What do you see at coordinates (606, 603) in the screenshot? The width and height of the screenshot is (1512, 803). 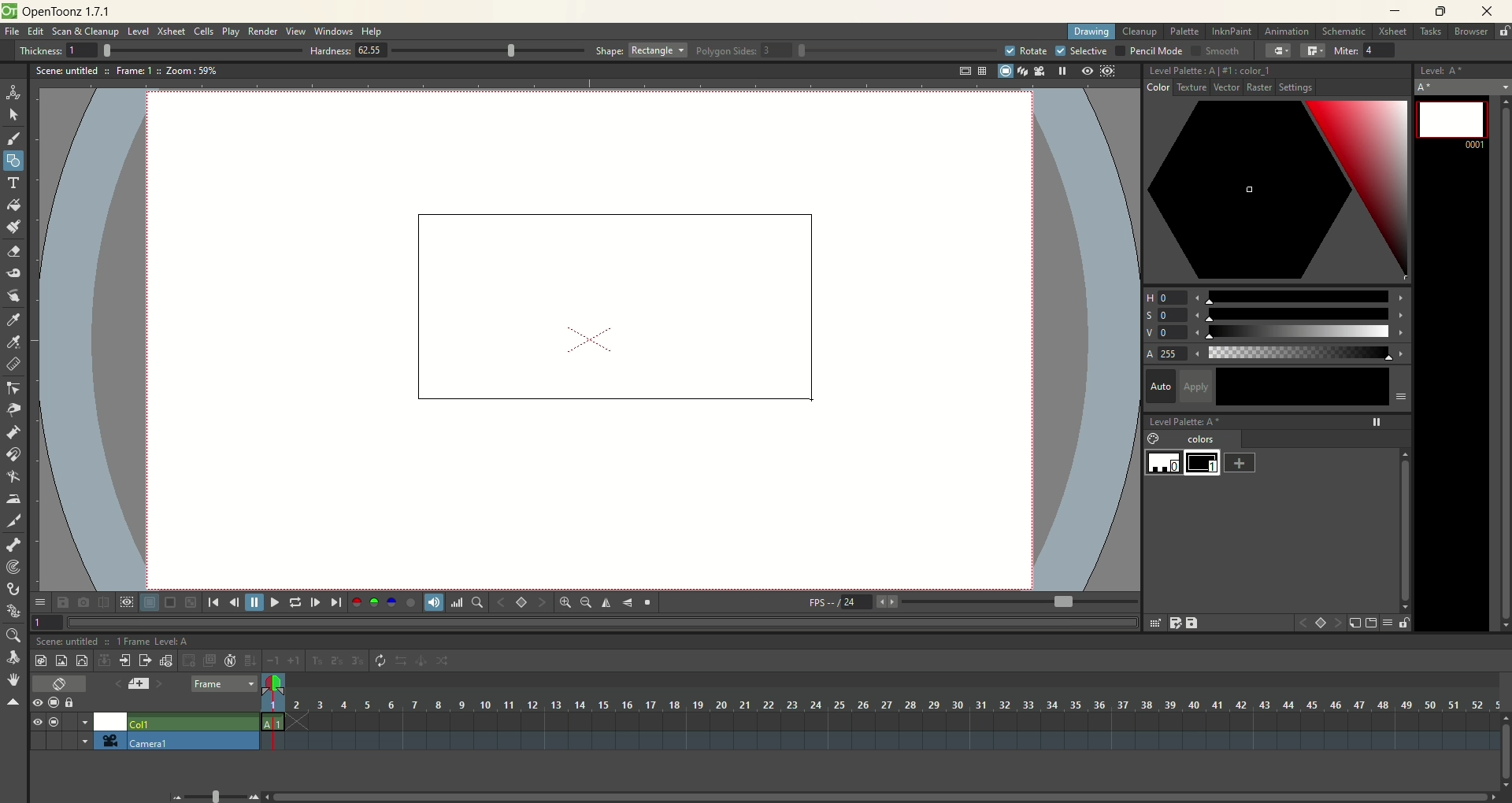 I see `flip horizontally` at bounding box center [606, 603].